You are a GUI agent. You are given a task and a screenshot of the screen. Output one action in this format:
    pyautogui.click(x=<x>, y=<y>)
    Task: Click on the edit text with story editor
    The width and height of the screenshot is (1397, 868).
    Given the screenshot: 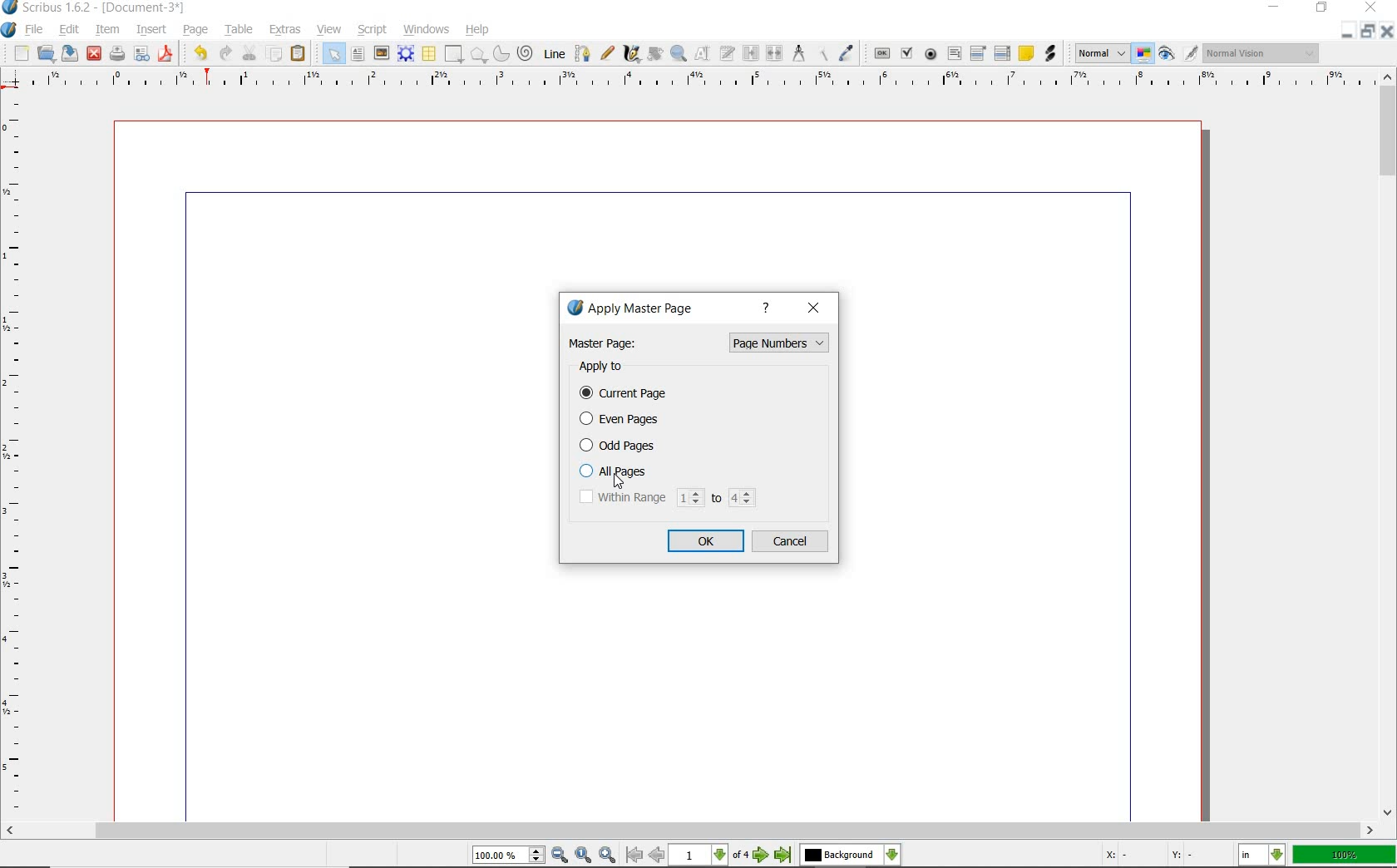 What is the action you would take?
    pyautogui.click(x=726, y=53)
    